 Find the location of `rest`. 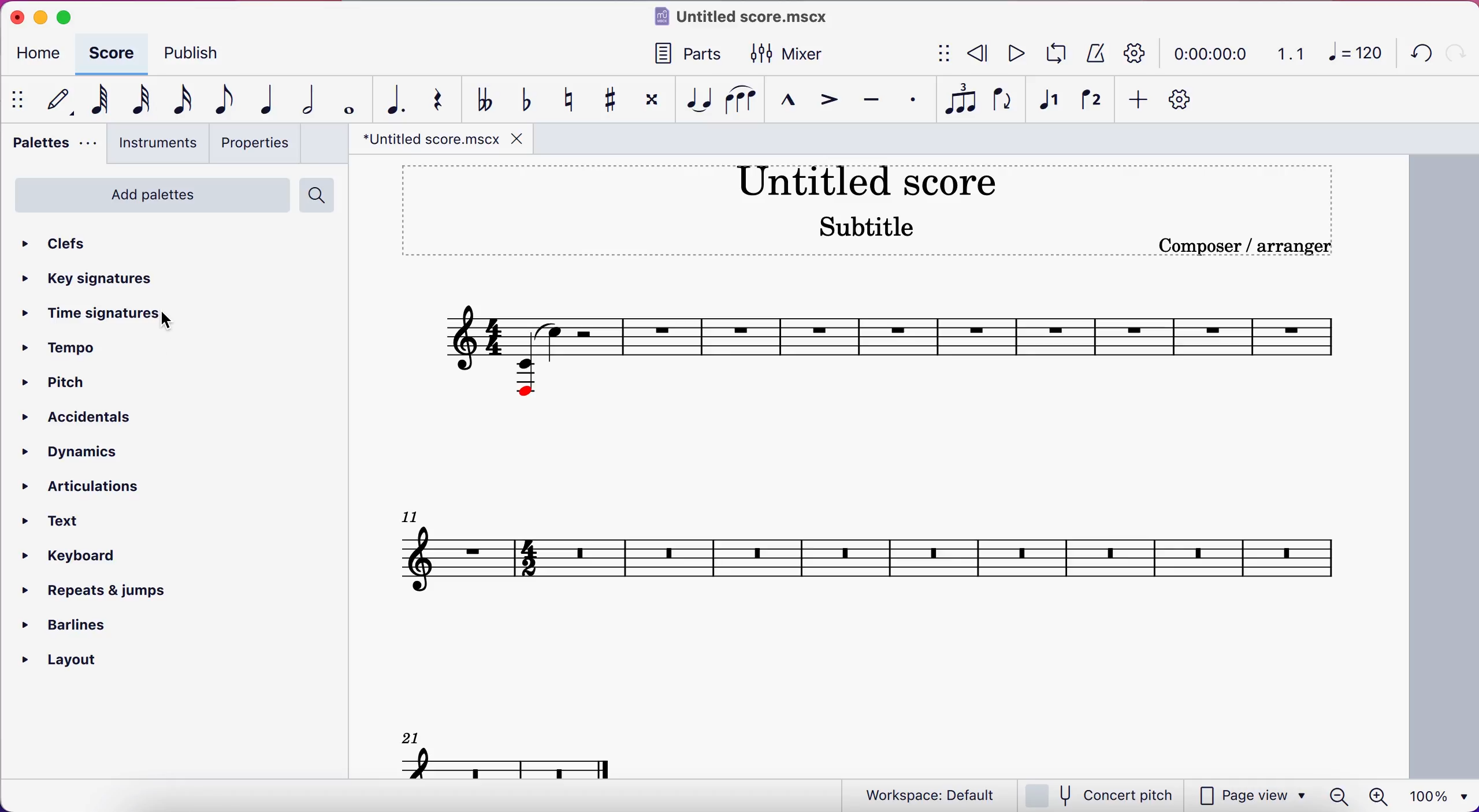

rest is located at coordinates (432, 99).